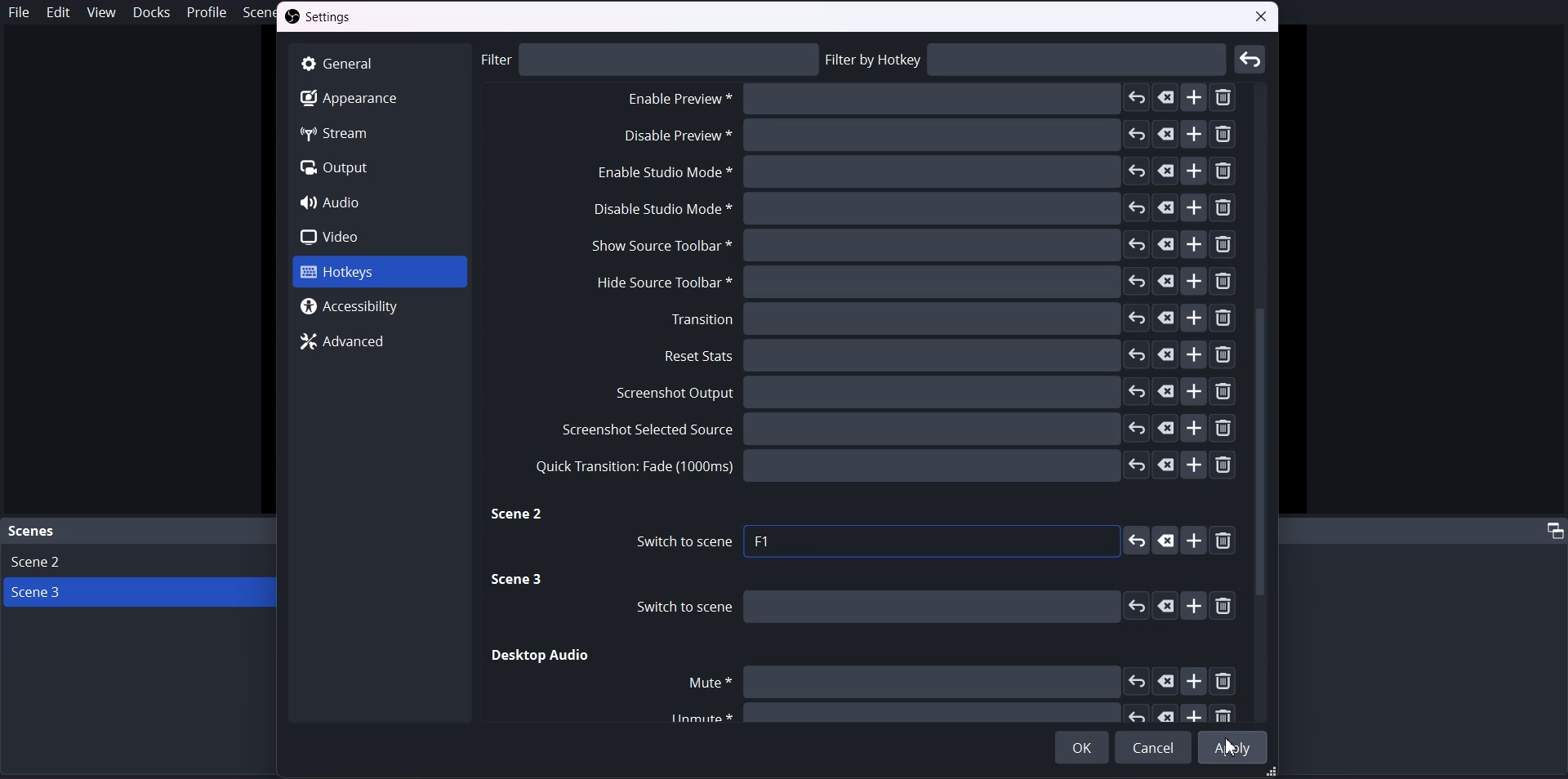 This screenshot has height=779, width=1568. Describe the element at coordinates (1263, 19) in the screenshot. I see `close` at that location.